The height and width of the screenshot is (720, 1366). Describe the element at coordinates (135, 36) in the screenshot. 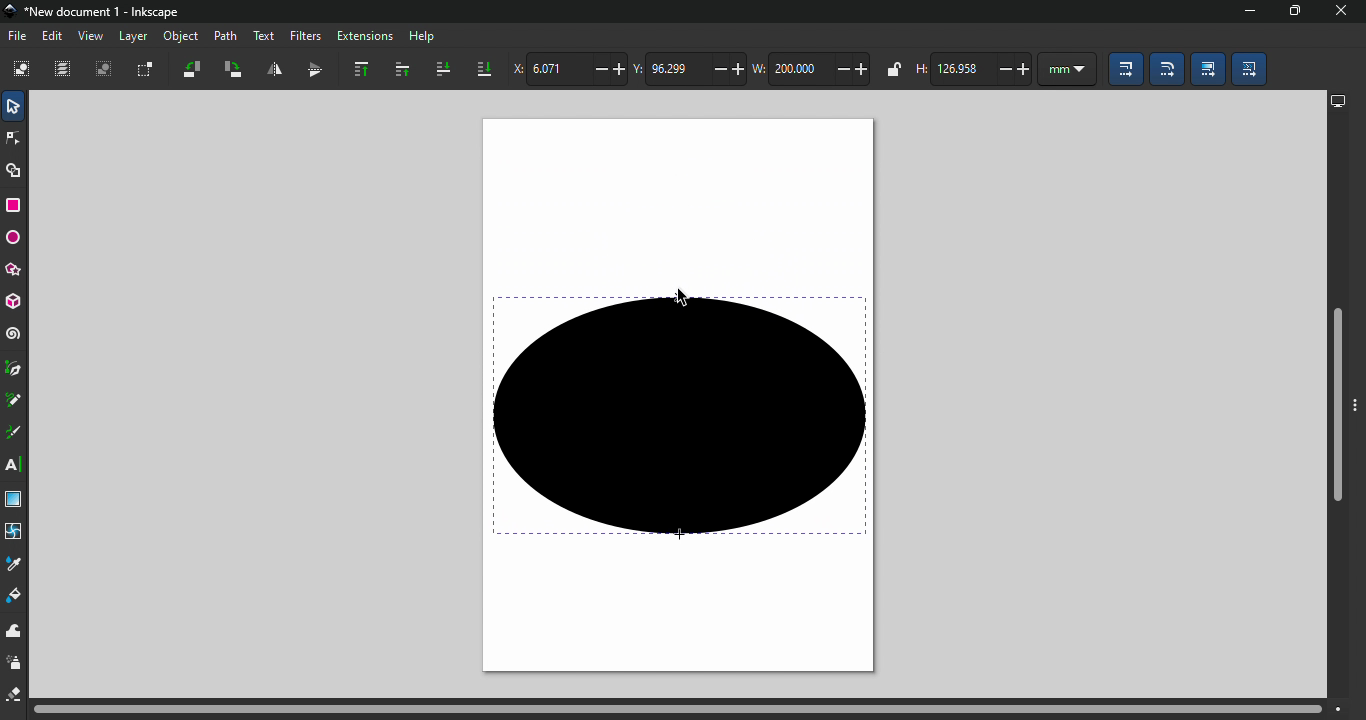

I see `Layer` at that location.